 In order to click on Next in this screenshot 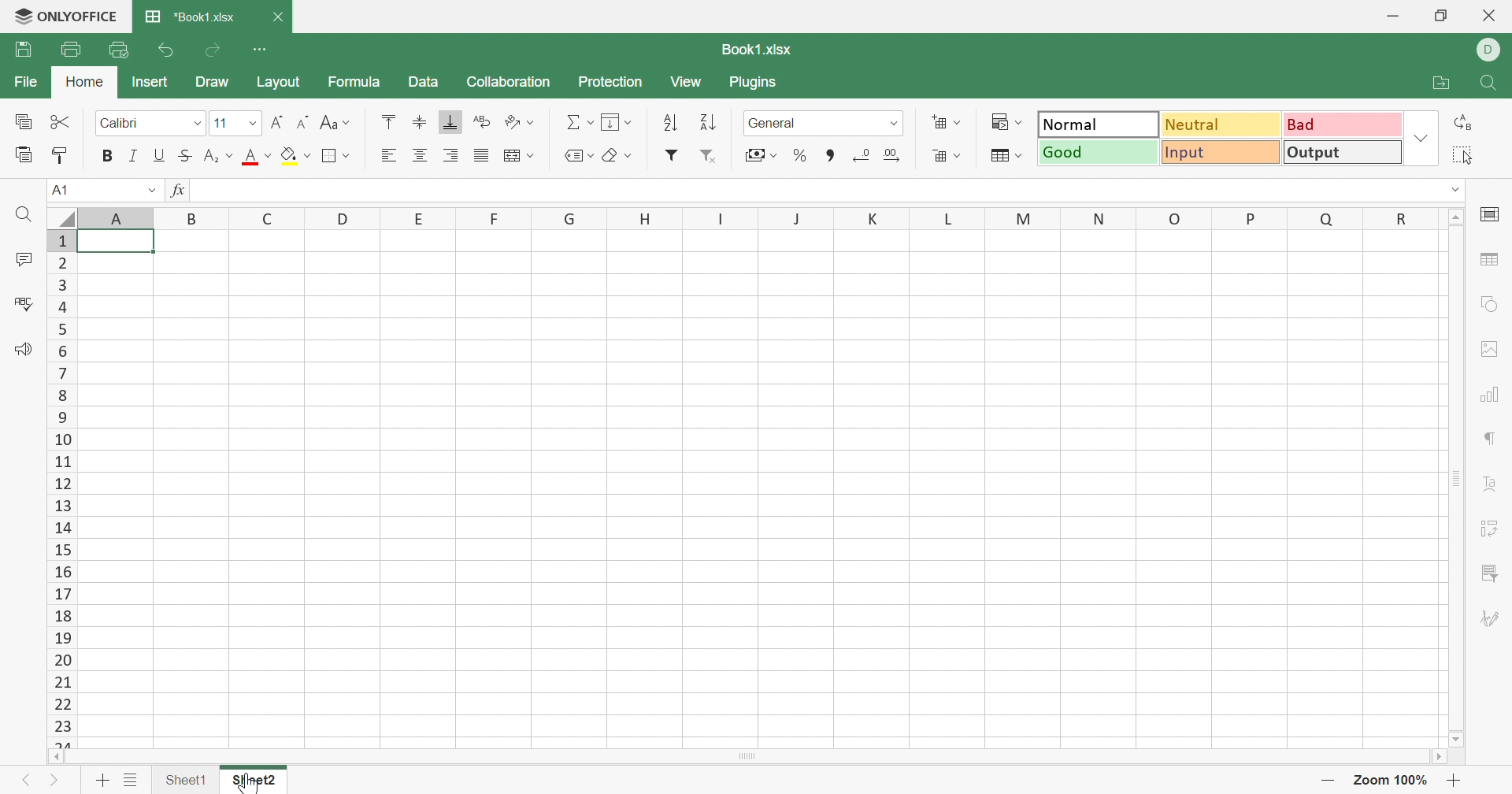, I will do `click(53, 778)`.